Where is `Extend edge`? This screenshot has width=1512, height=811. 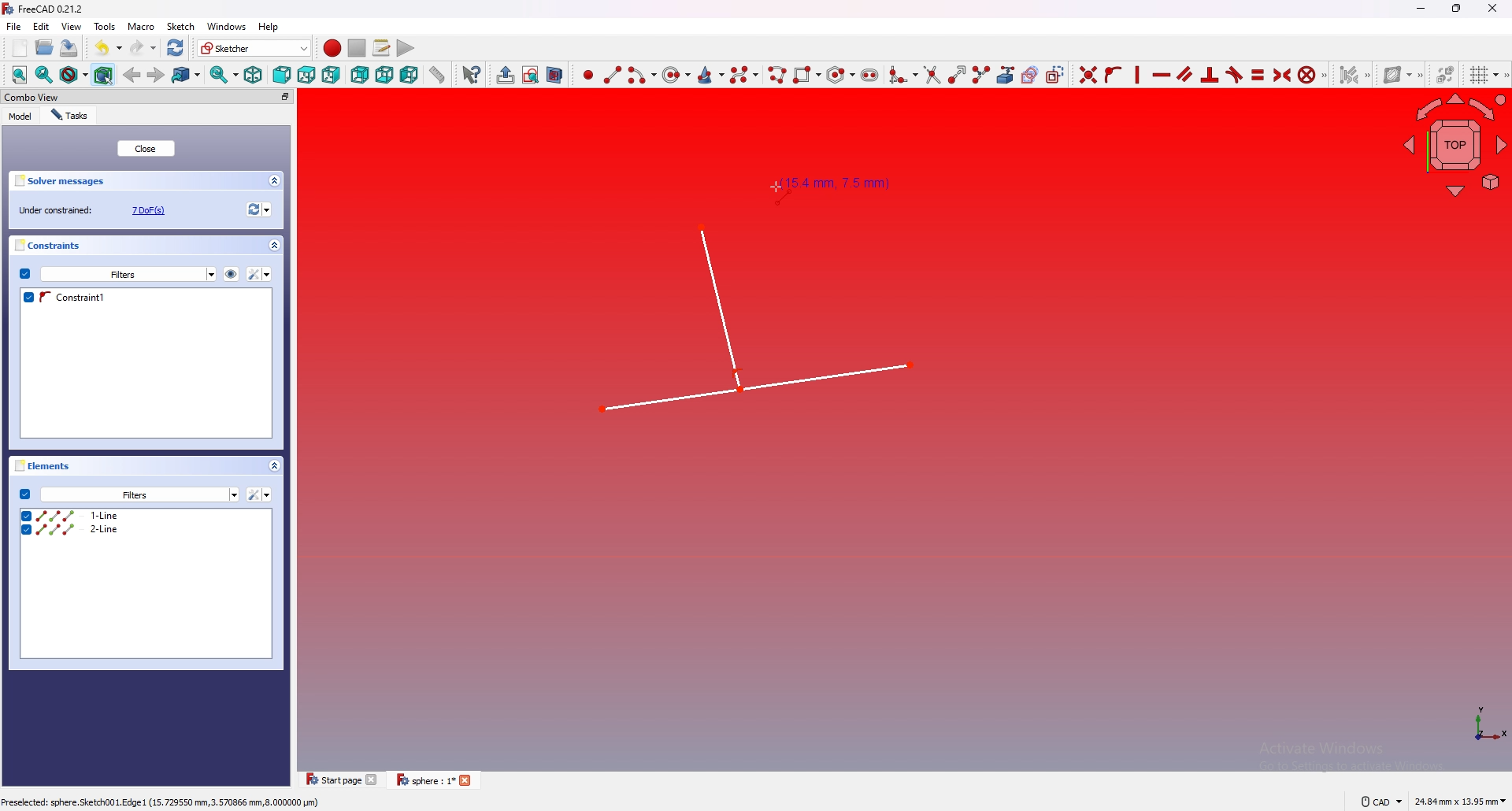
Extend edge is located at coordinates (955, 74).